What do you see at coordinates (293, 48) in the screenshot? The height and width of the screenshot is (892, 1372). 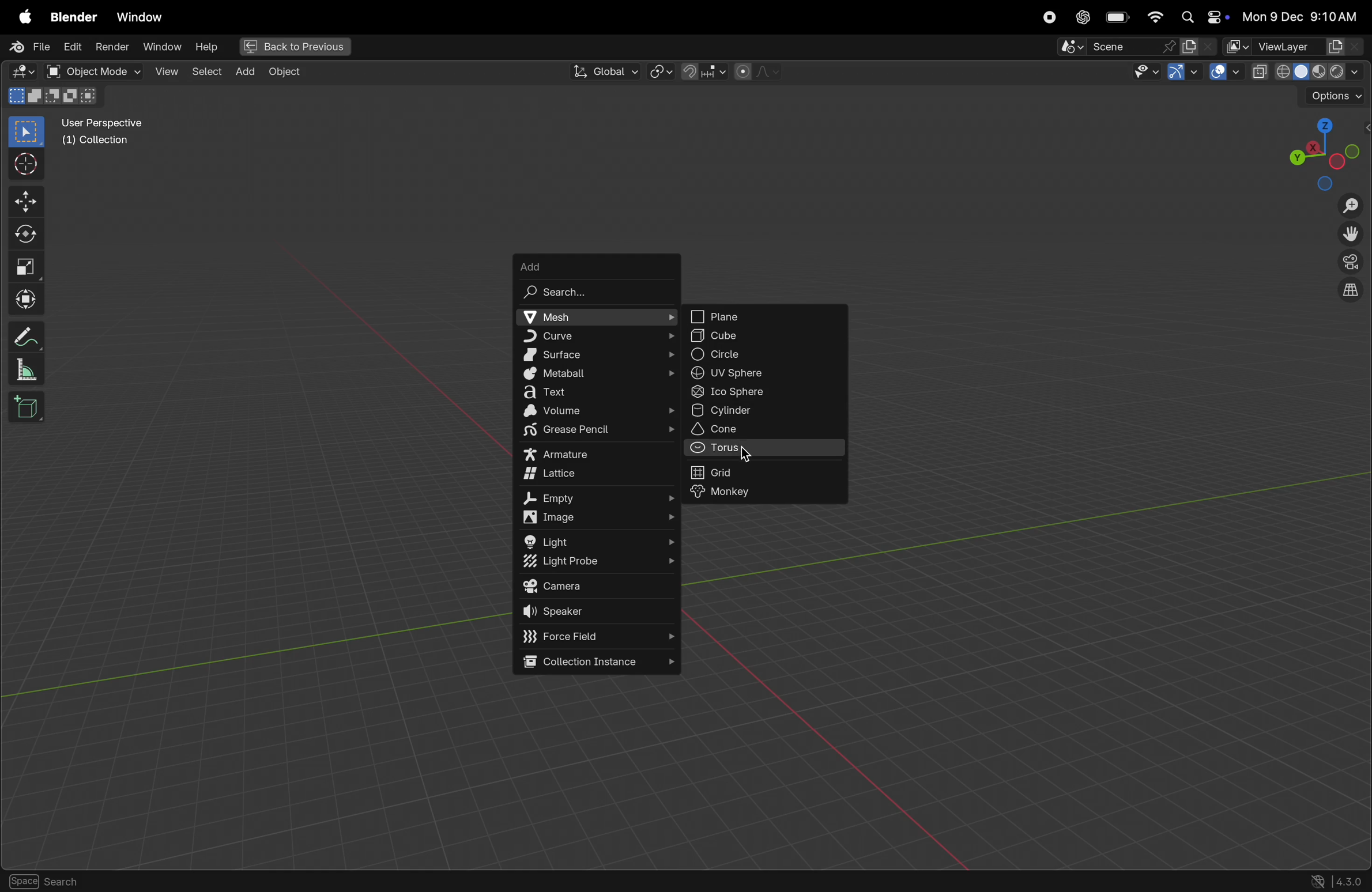 I see `back to previous` at bounding box center [293, 48].